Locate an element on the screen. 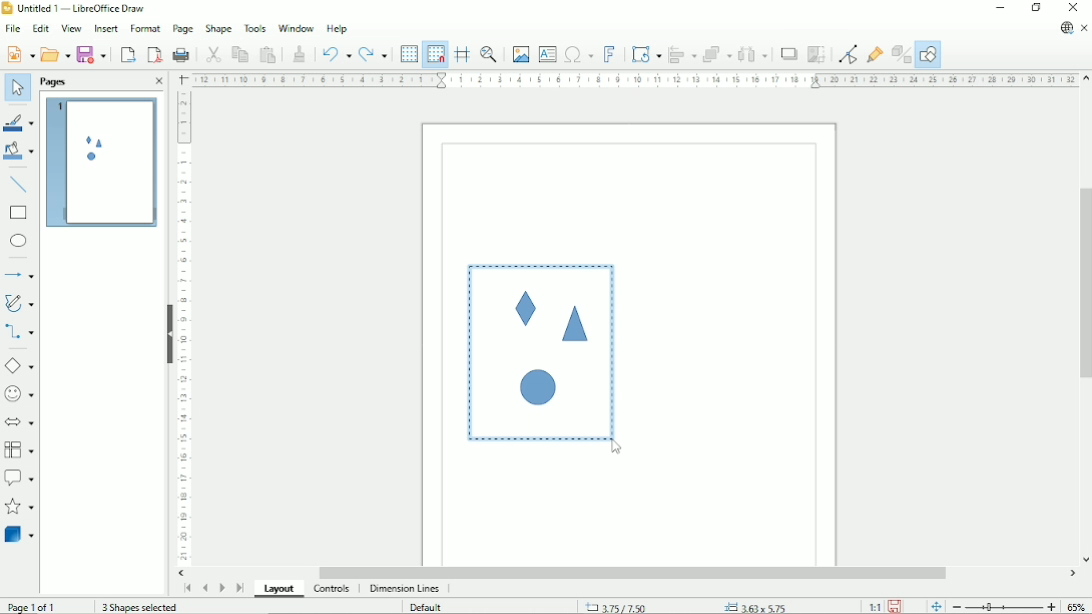 The height and width of the screenshot is (614, 1092). Basic shapes  is located at coordinates (19, 365).